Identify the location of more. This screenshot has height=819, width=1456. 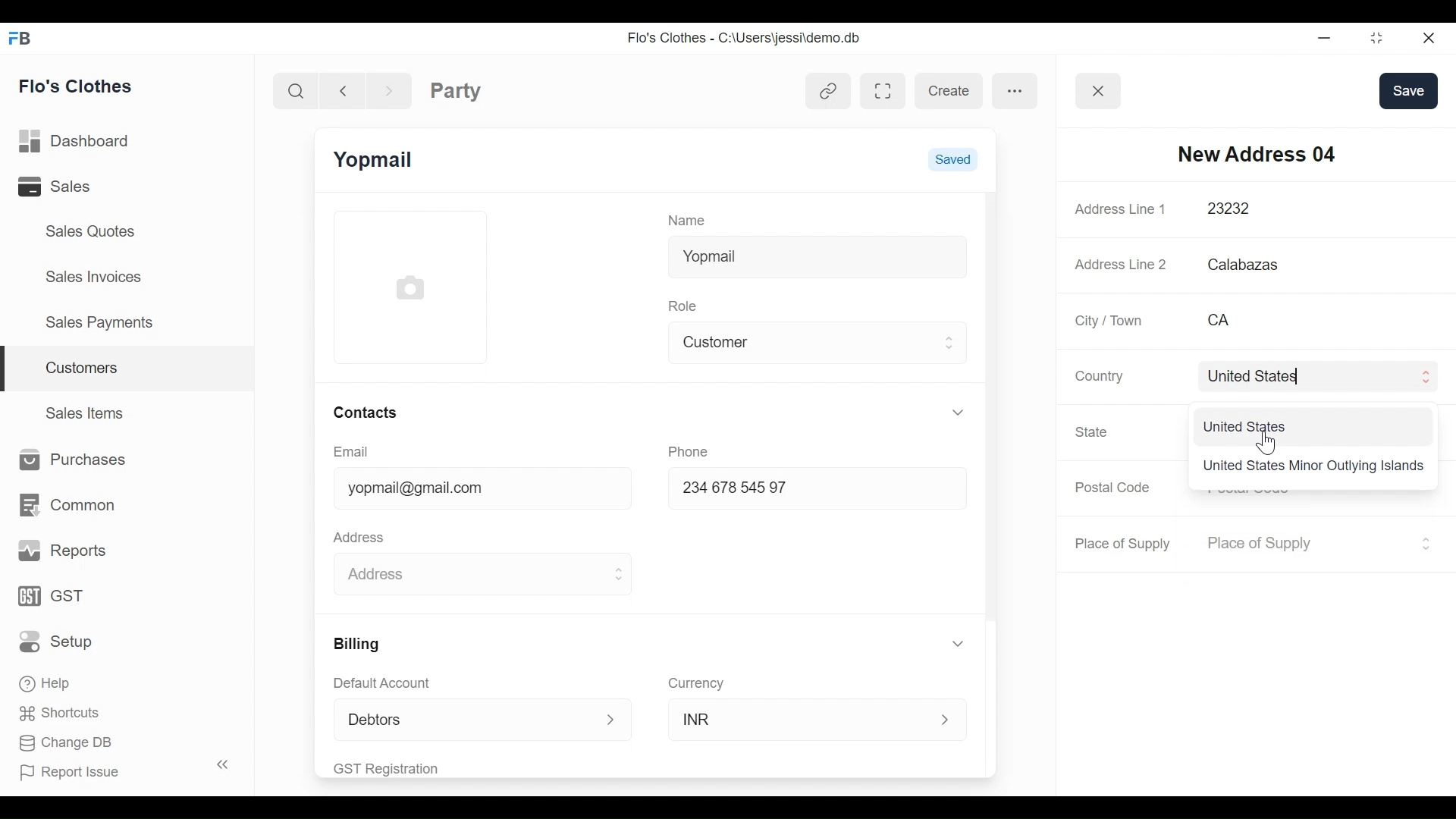
(1015, 89).